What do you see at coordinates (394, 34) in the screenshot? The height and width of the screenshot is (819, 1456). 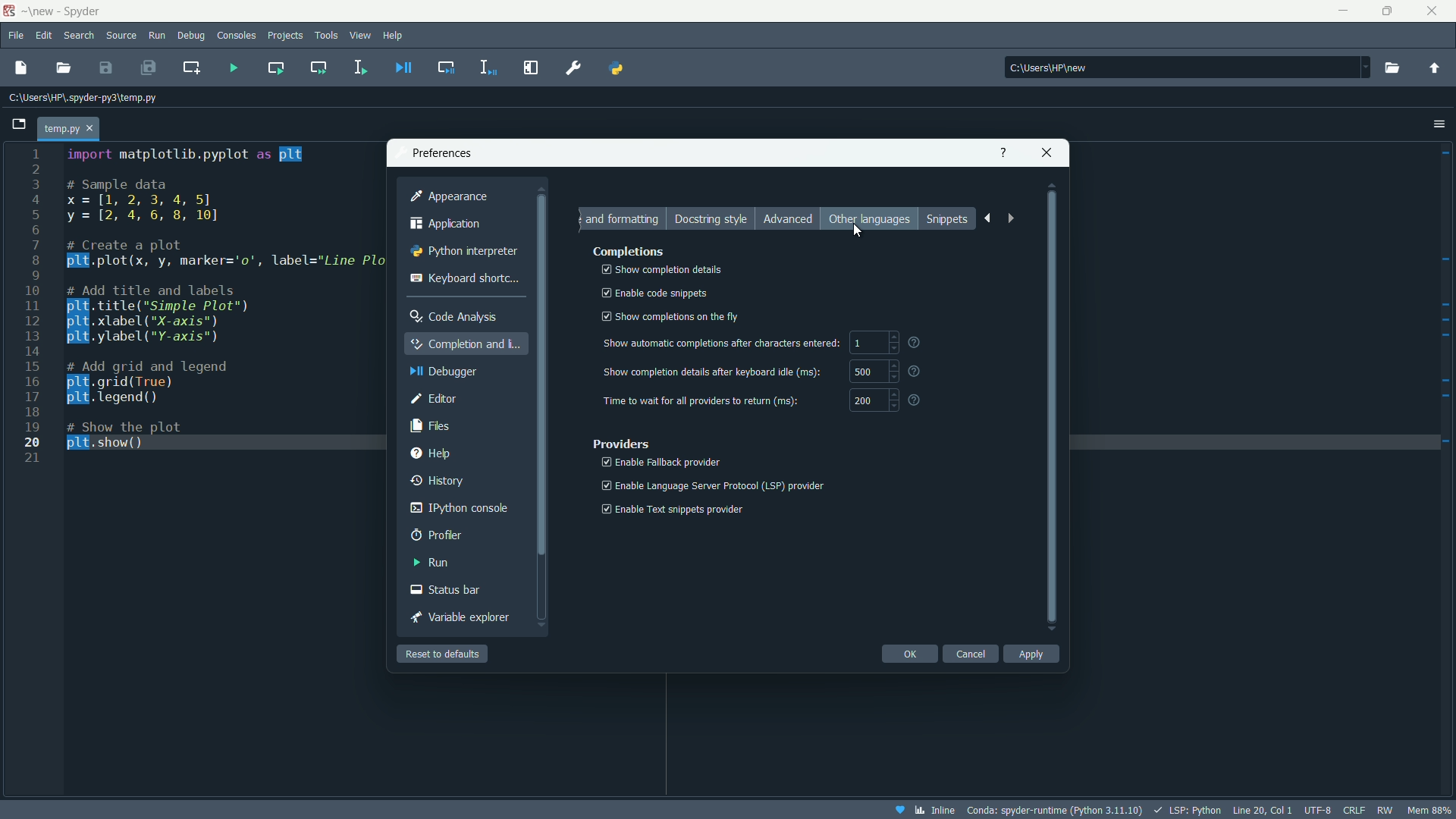 I see `help` at bounding box center [394, 34].